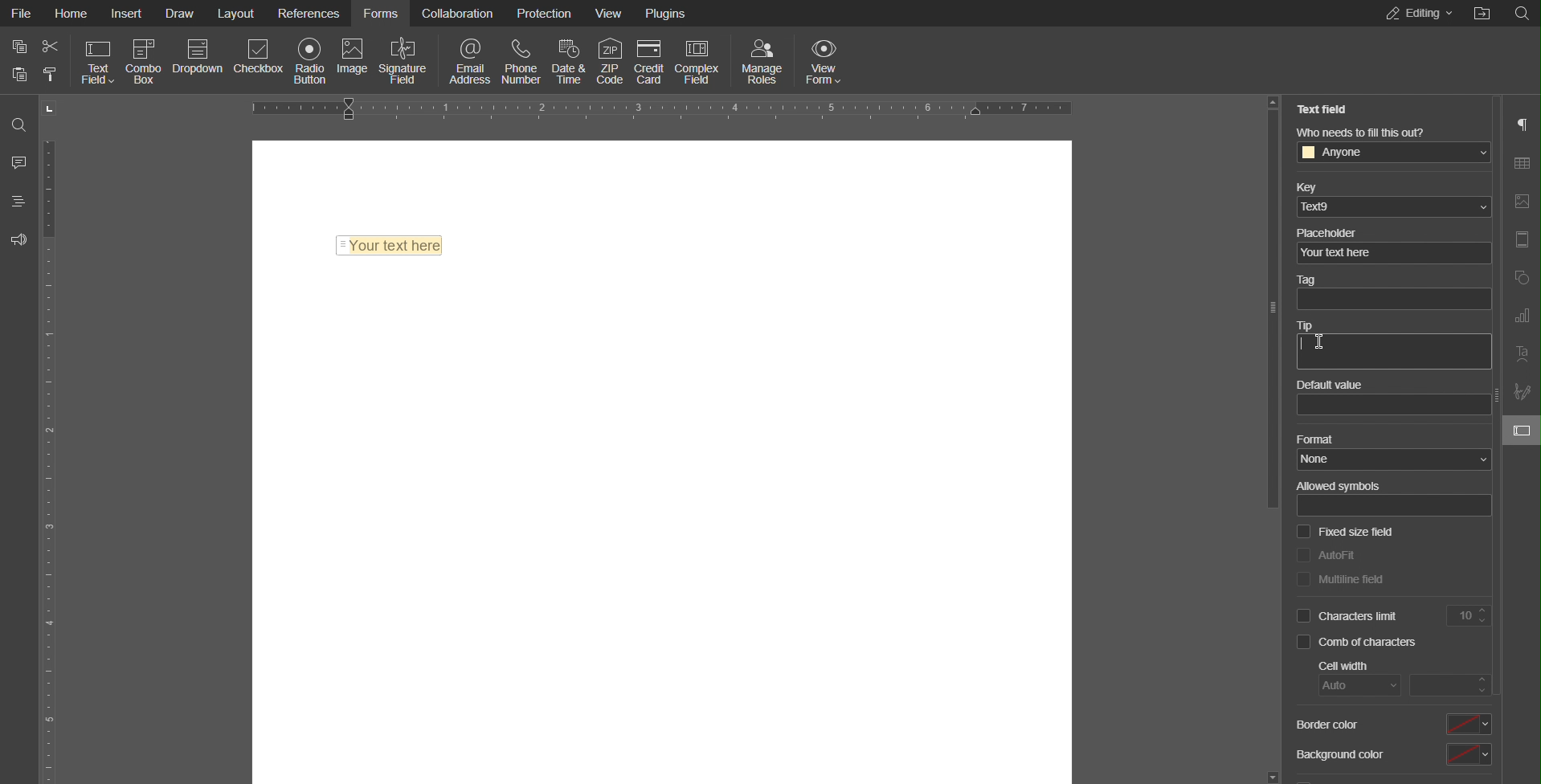  What do you see at coordinates (1312, 325) in the screenshot?
I see `Tip` at bounding box center [1312, 325].